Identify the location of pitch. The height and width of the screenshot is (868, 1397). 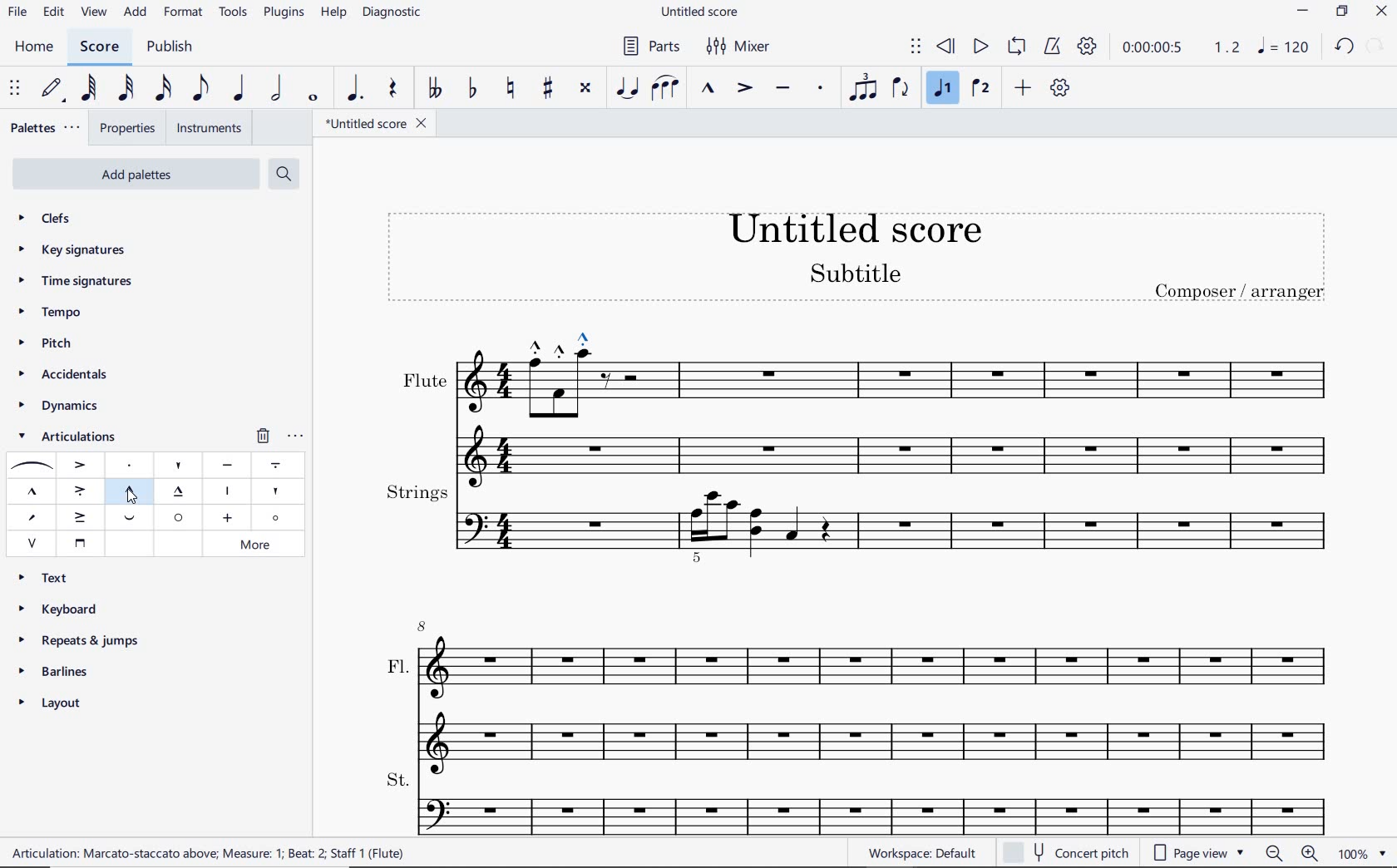
(48, 345).